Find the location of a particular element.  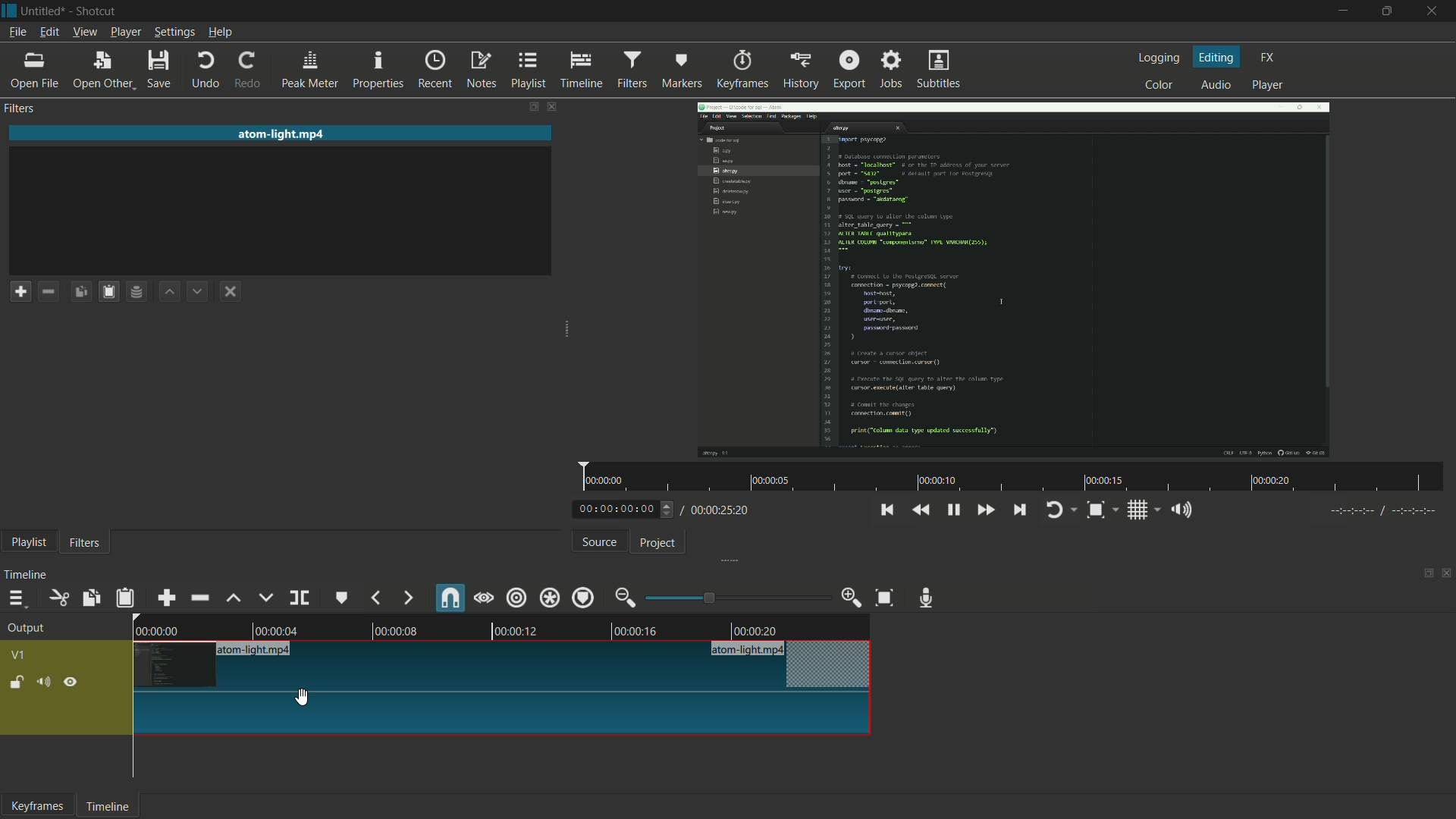

export is located at coordinates (849, 69).